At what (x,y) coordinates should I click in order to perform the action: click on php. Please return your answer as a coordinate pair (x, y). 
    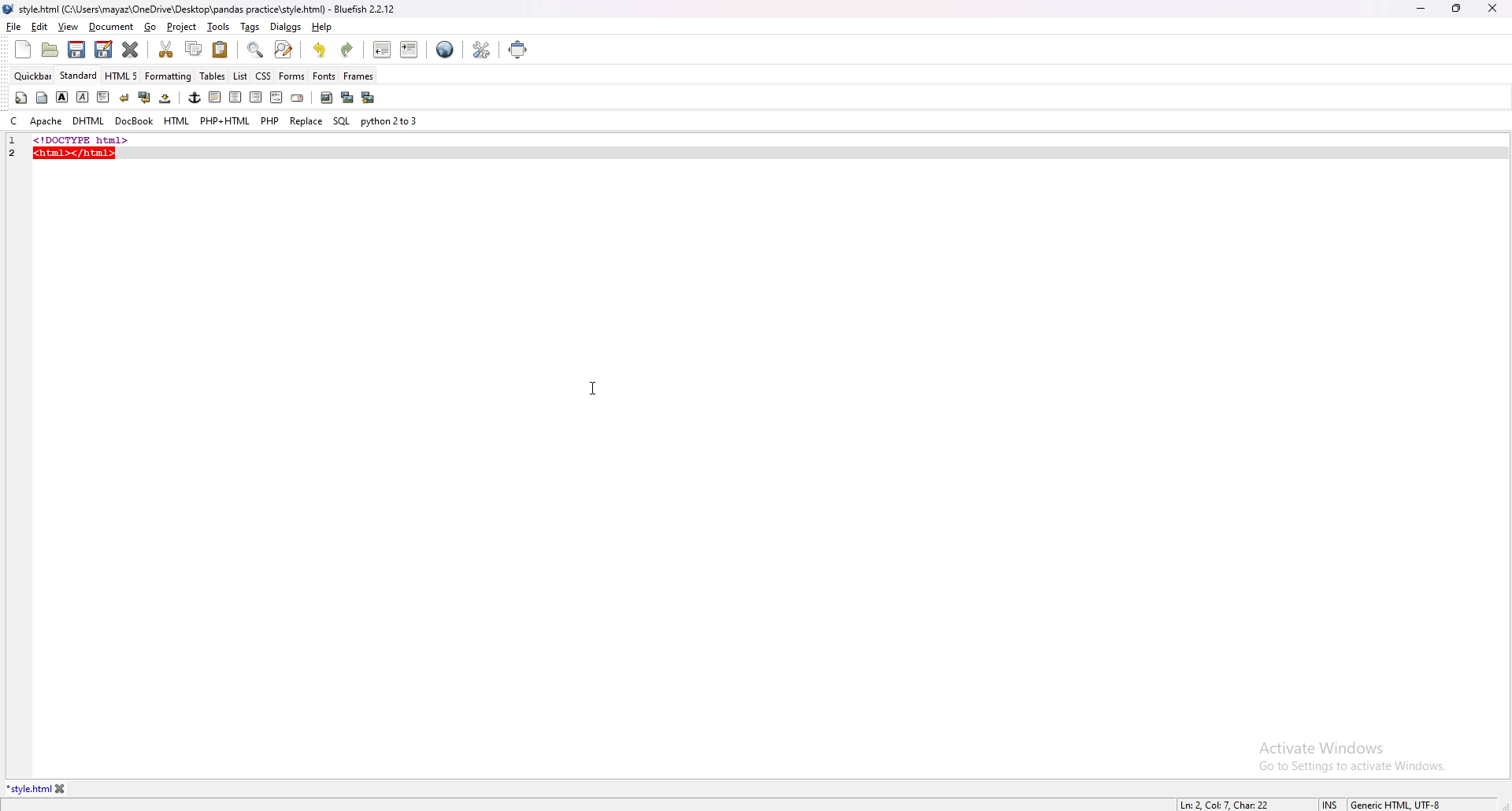
    Looking at the image, I should click on (270, 120).